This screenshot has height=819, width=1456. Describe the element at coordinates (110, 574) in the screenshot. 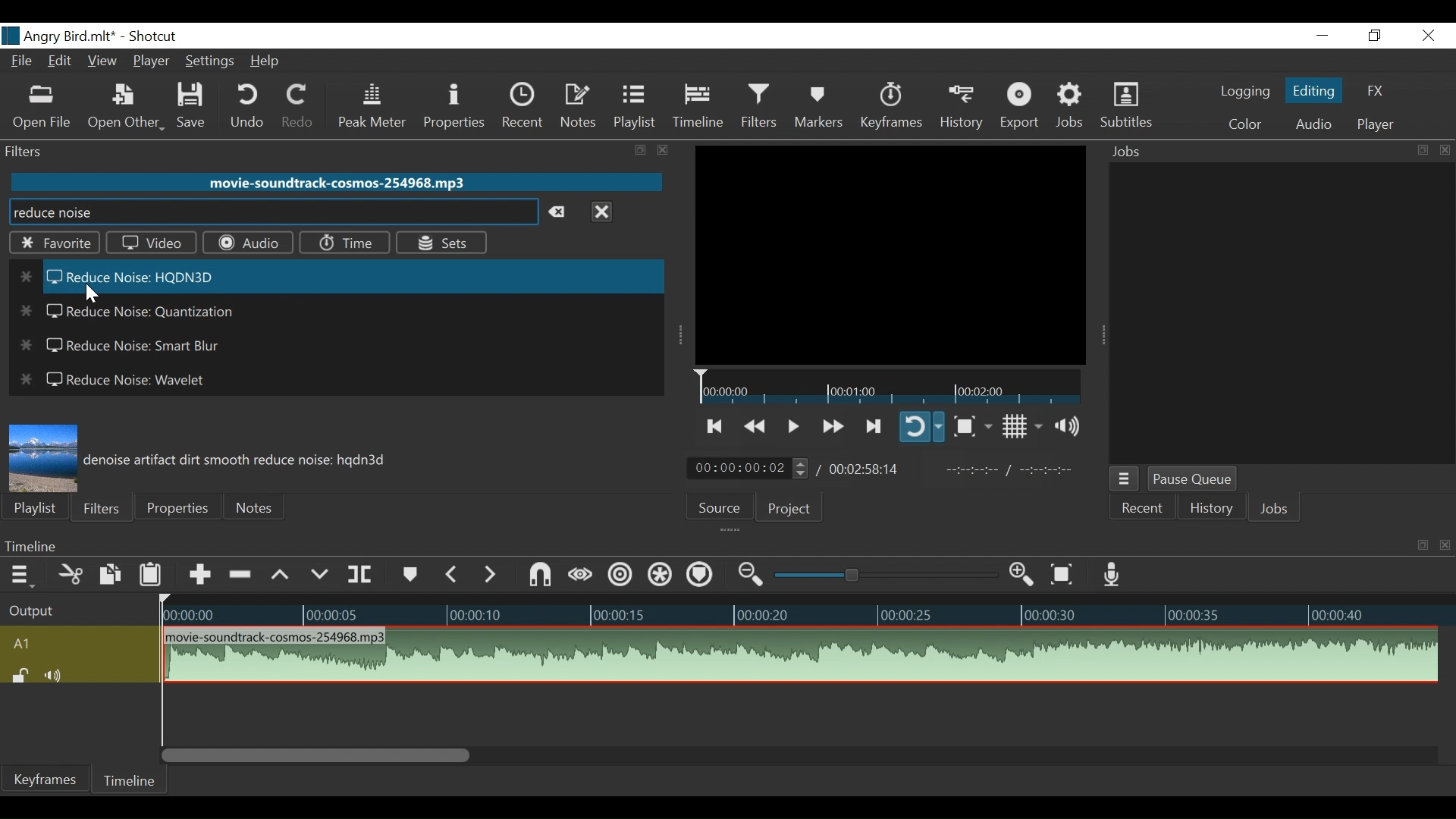

I see `Copy` at that location.